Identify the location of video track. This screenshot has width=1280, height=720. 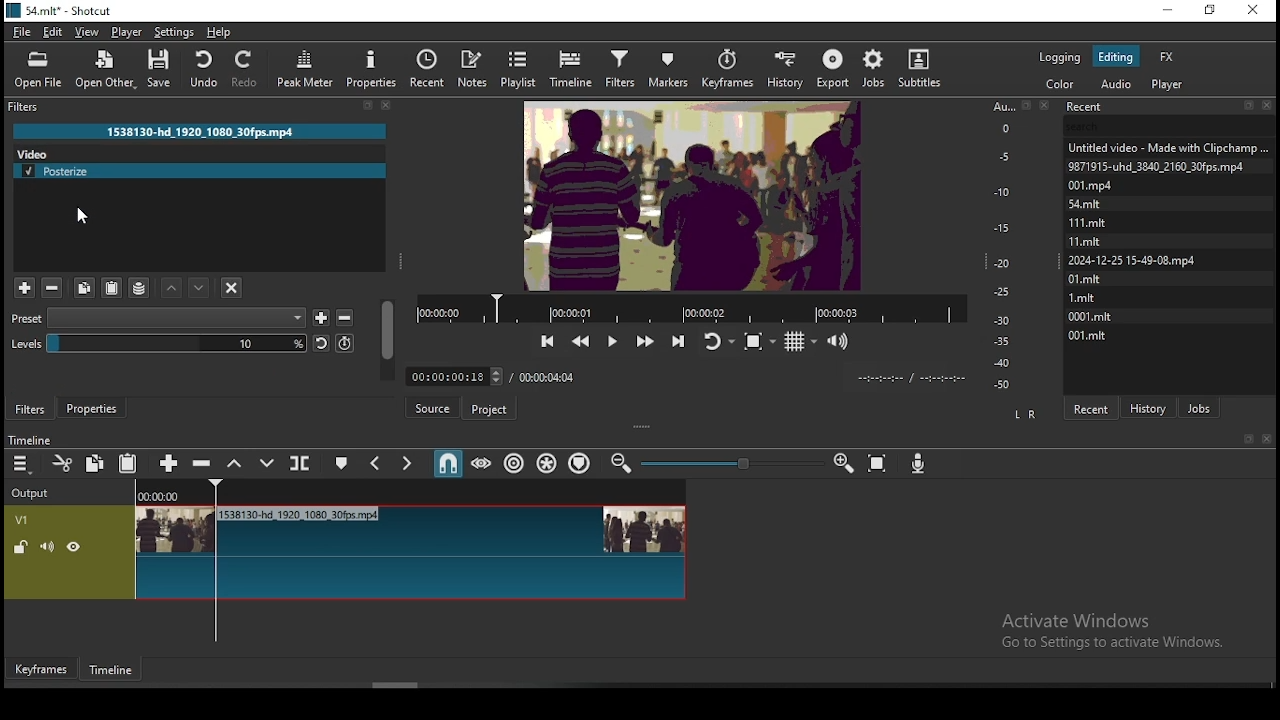
(347, 550).